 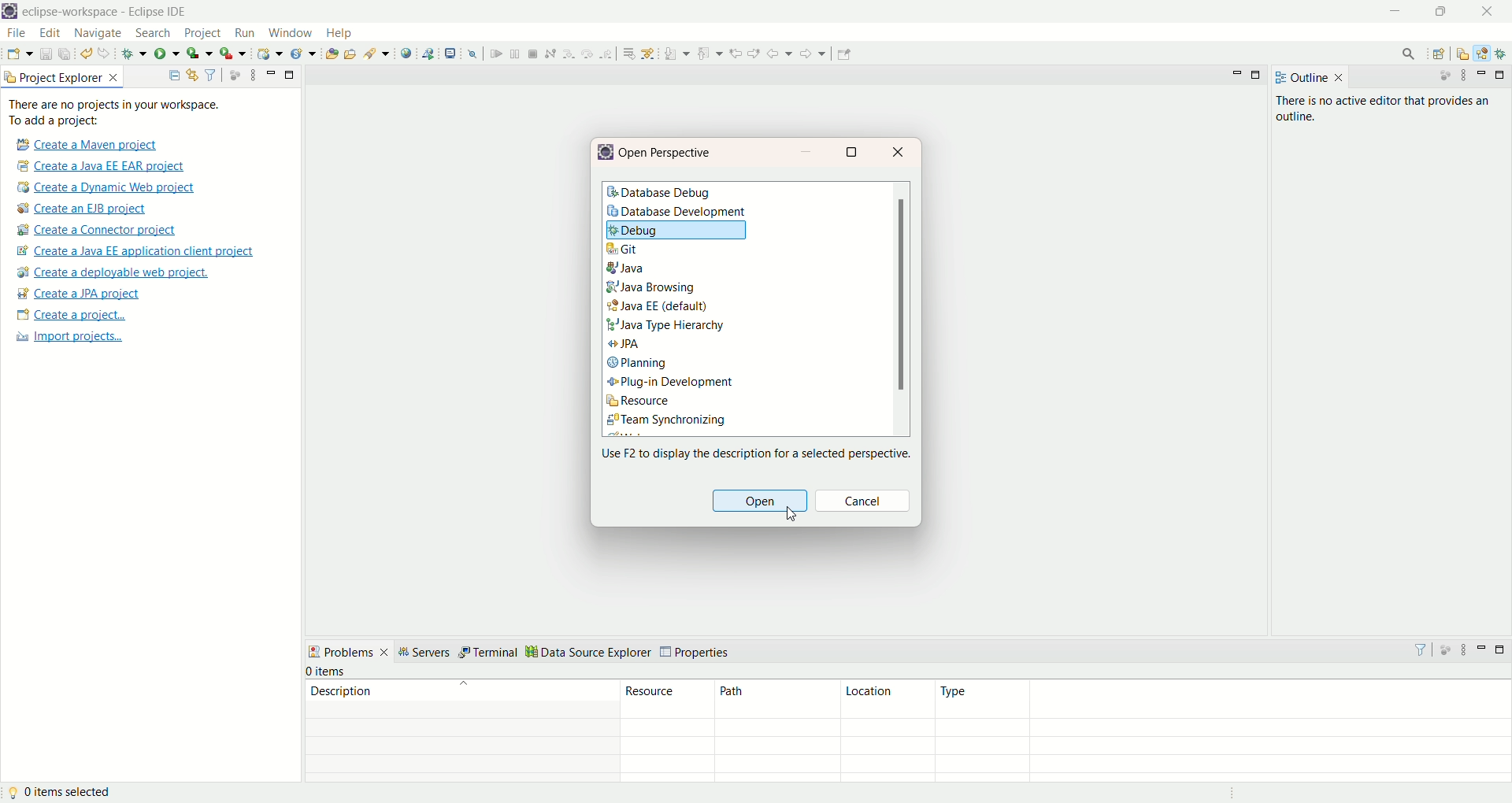 What do you see at coordinates (82, 209) in the screenshot?
I see `create an EJB project` at bounding box center [82, 209].